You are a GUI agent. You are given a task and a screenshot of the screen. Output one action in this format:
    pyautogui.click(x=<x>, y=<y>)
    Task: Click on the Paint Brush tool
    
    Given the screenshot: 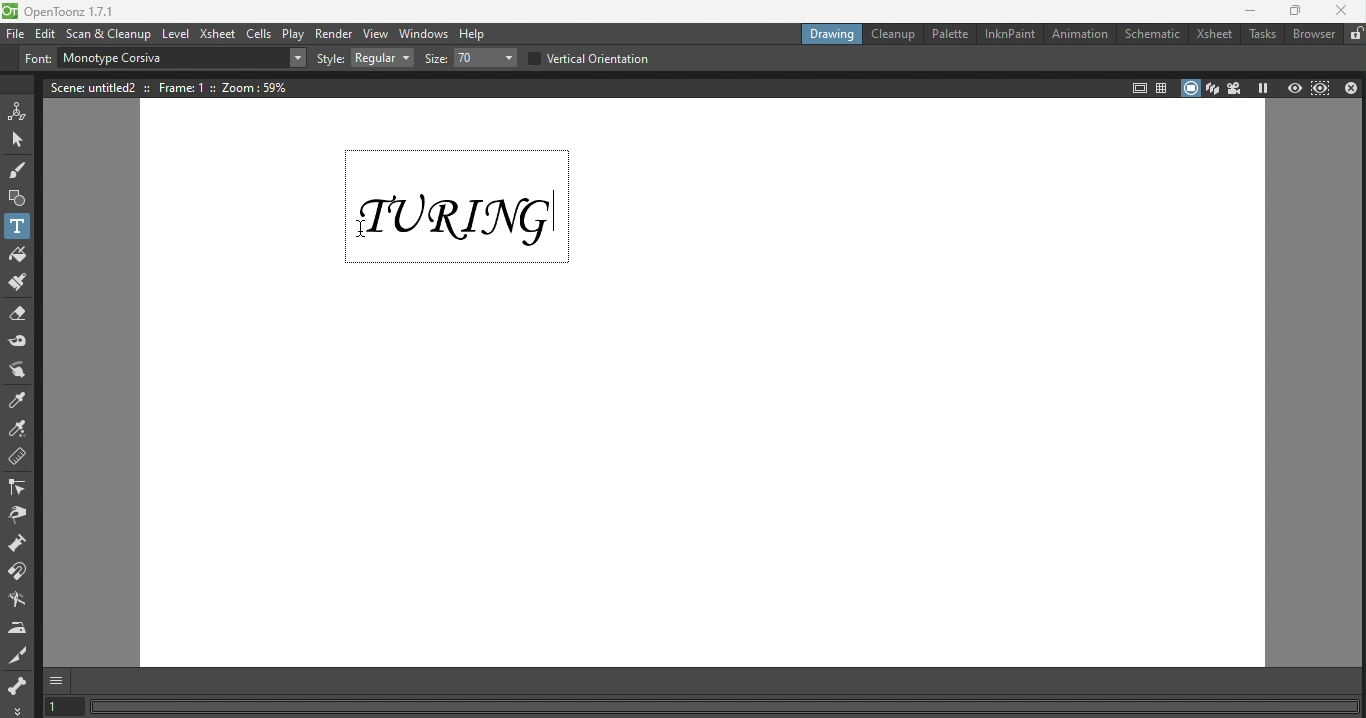 What is the action you would take?
    pyautogui.click(x=21, y=283)
    